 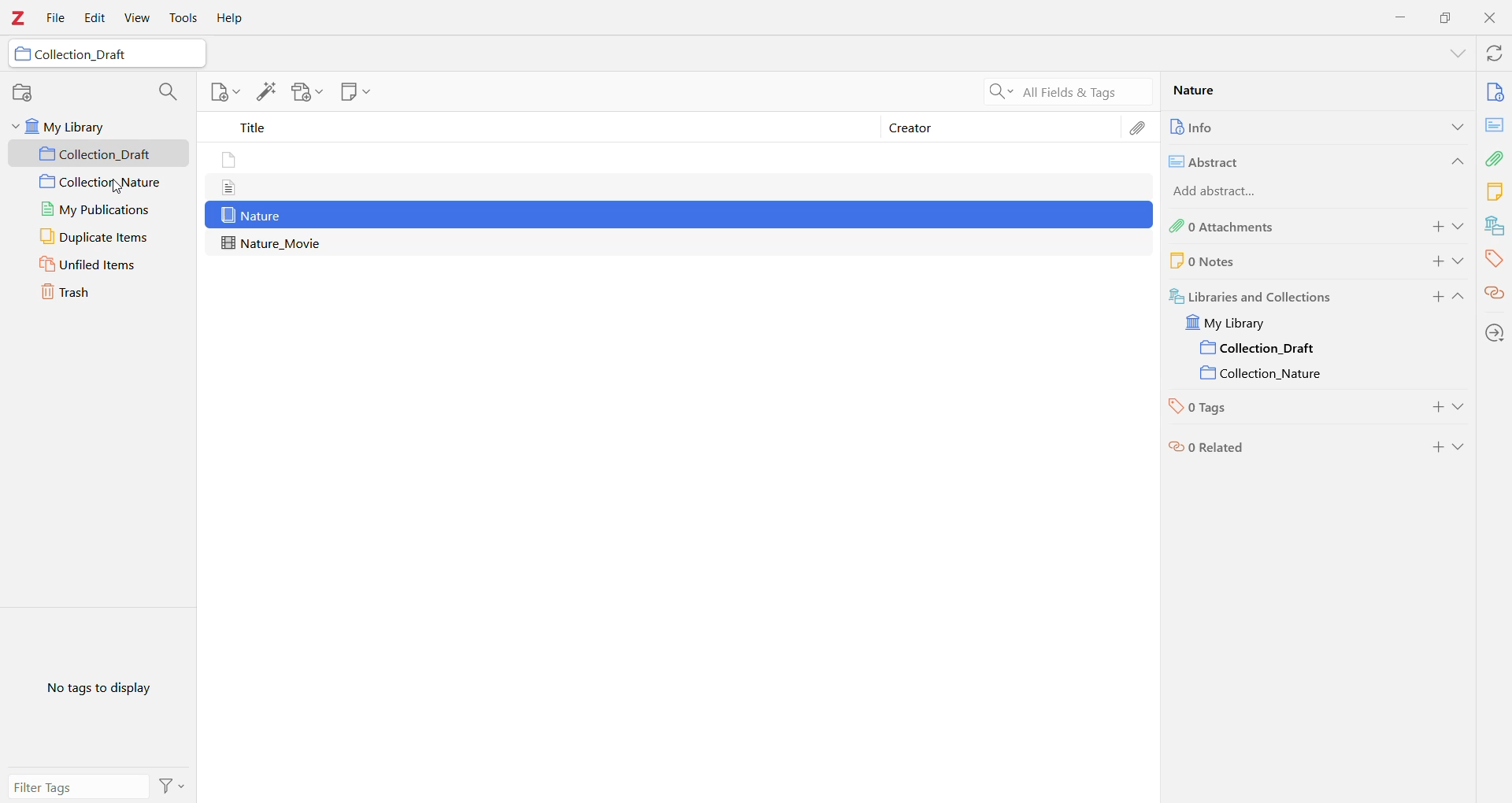 What do you see at coordinates (1065, 91) in the screenshot?
I see `All fields and tags` at bounding box center [1065, 91].